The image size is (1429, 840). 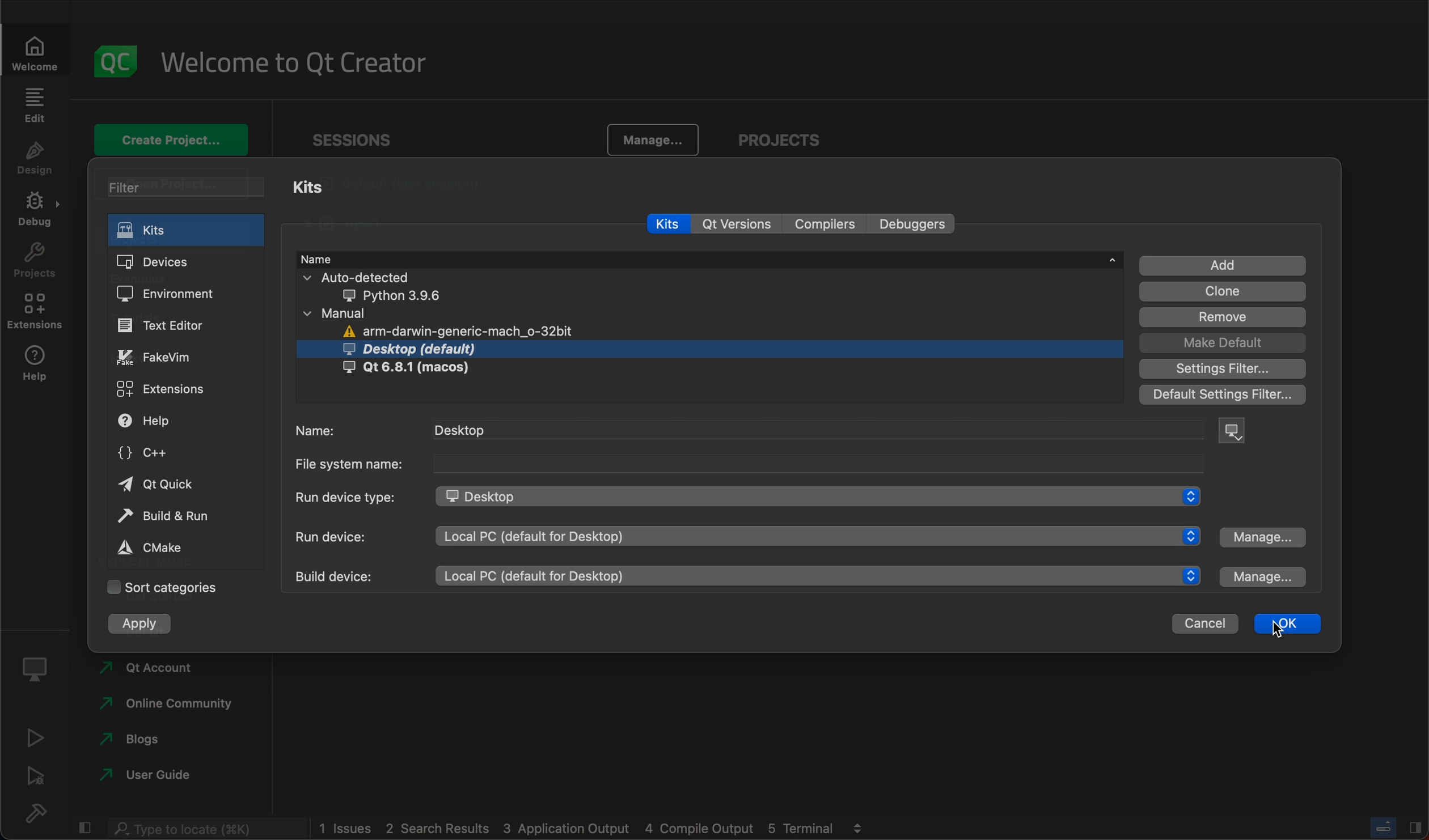 I want to click on remove, so click(x=1222, y=319).